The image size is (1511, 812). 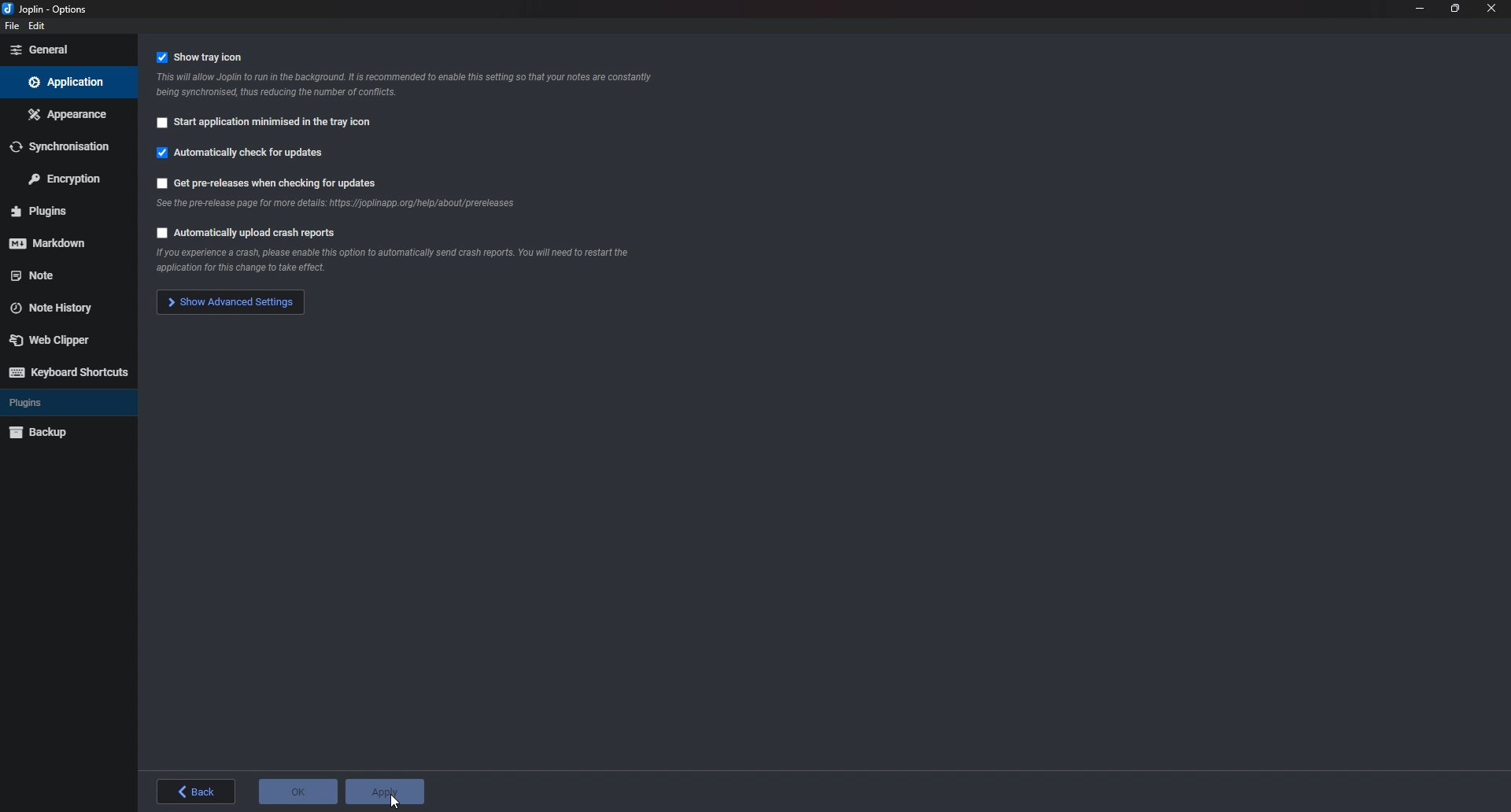 I want to click on ok, so click(x=300, y=790).